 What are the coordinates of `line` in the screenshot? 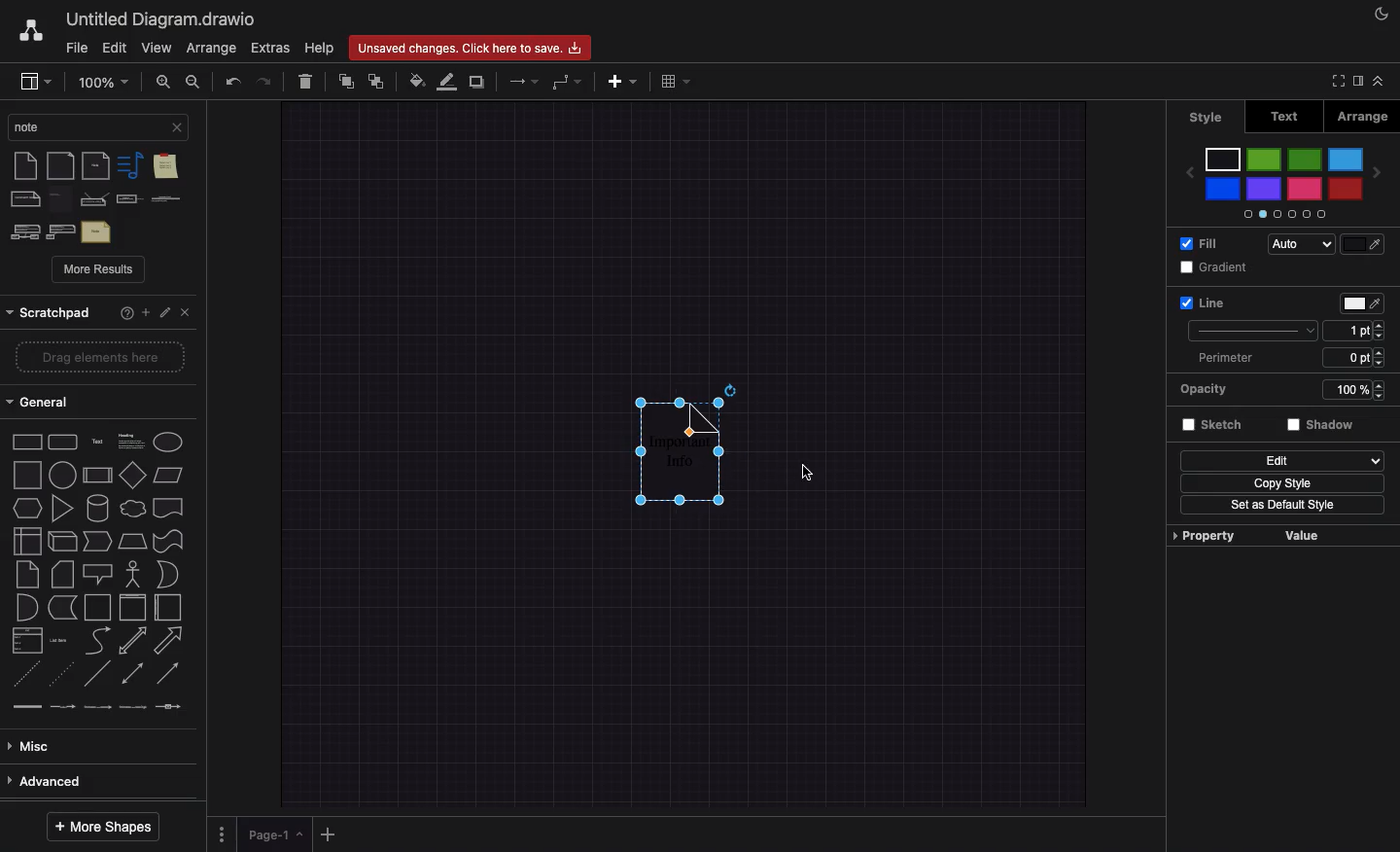 It's located at (98, 678).